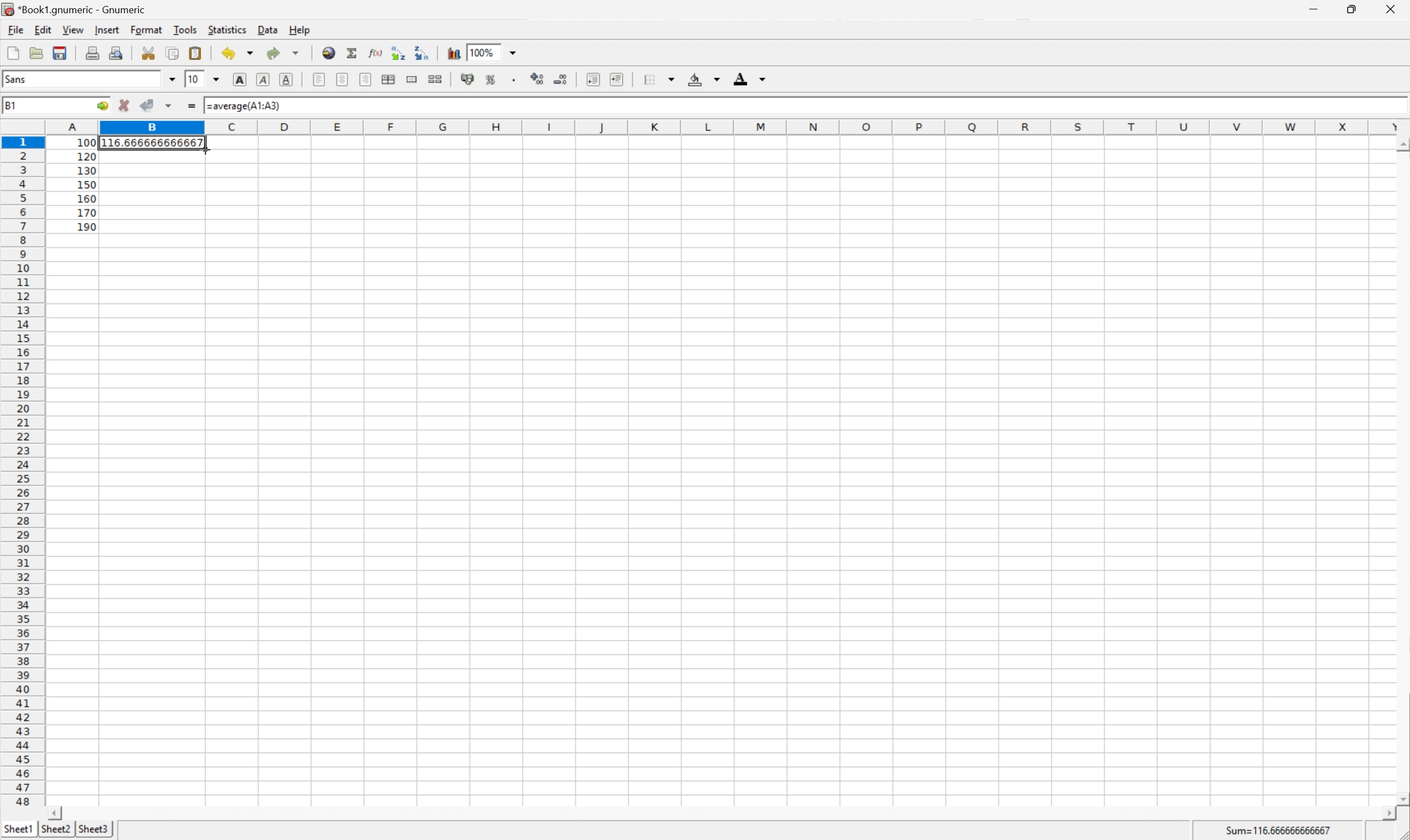 This screenshot has width=1410, height=840. What do you see at coordinates (280, 53) in the screenshot?
I see `Redo` at bounding box center [280, 53].